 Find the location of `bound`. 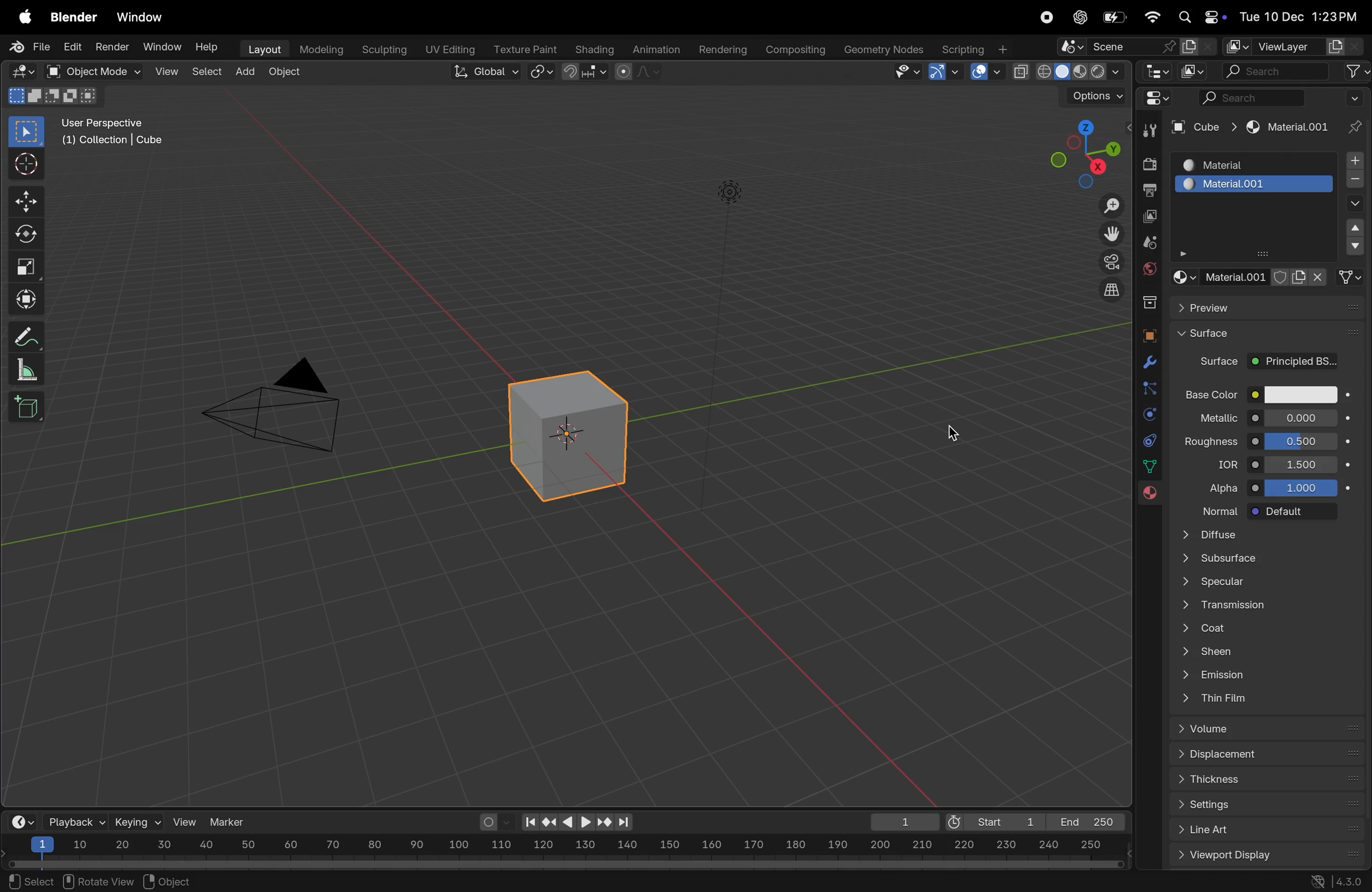

bound is located at coordinates (1149, 387).